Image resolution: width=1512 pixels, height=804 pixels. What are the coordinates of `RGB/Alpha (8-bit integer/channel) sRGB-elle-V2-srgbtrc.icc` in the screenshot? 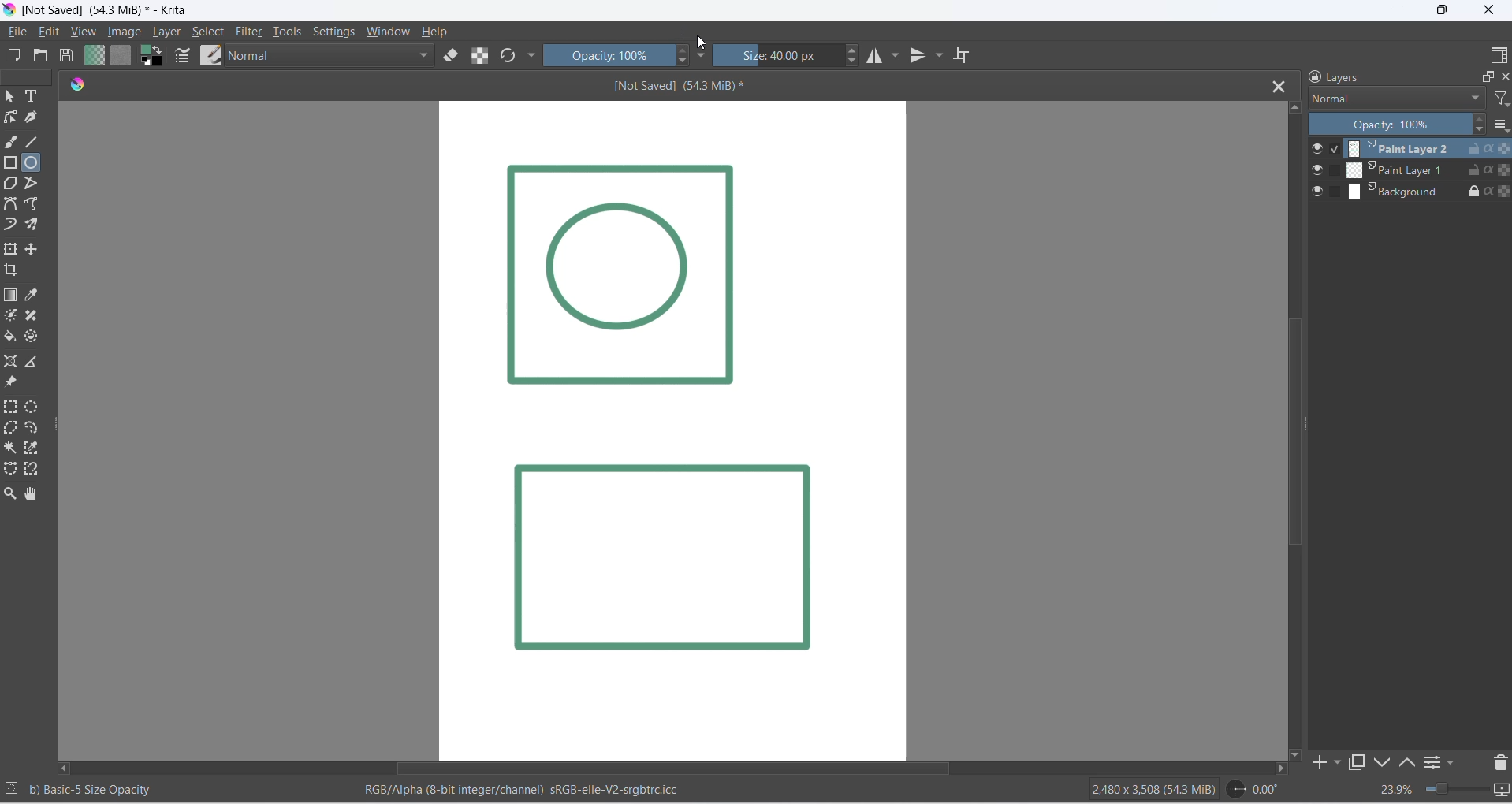 It's located at (539, 793).